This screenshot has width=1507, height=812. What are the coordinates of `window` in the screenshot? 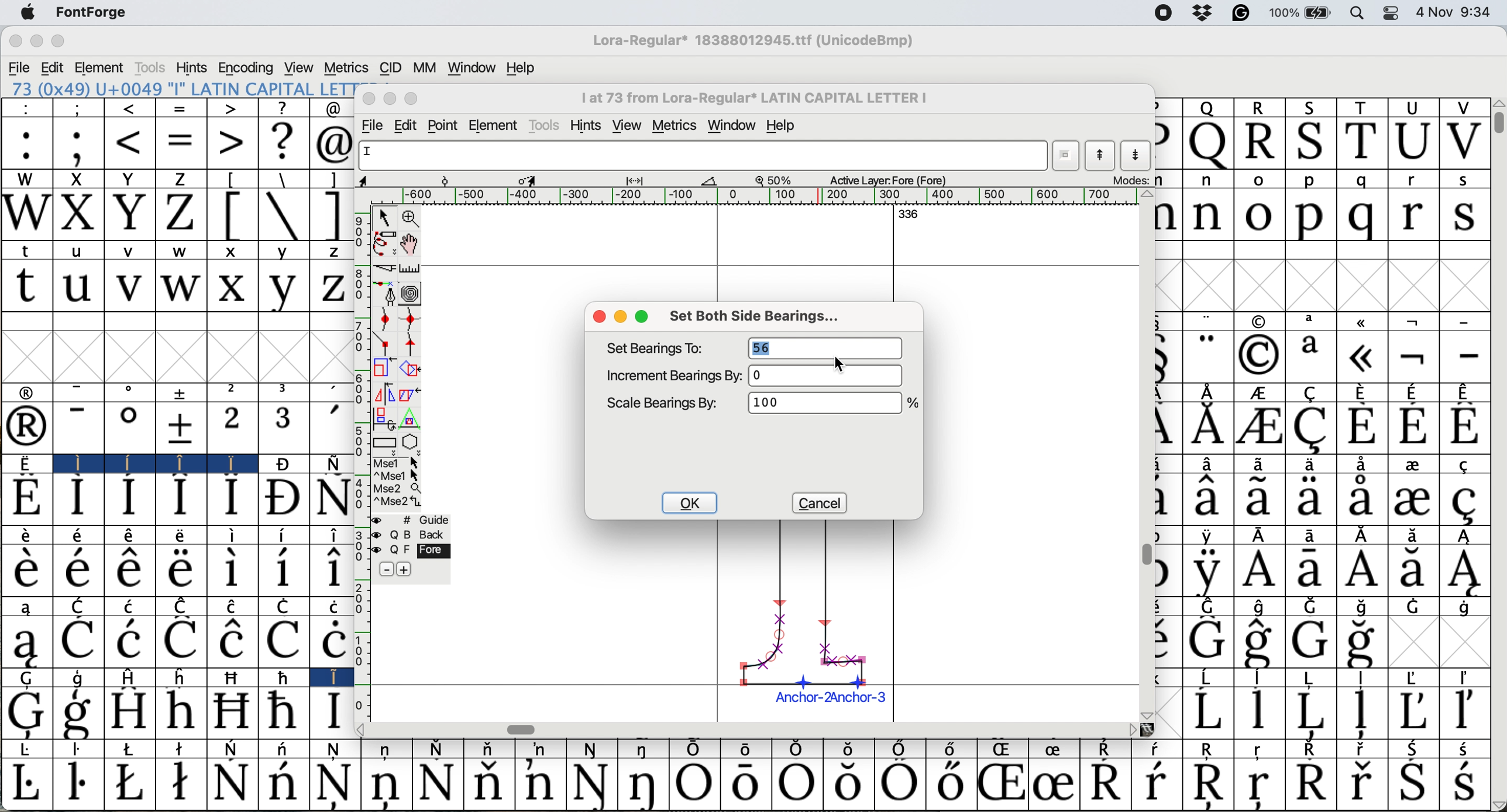 It's located at (472, 68).